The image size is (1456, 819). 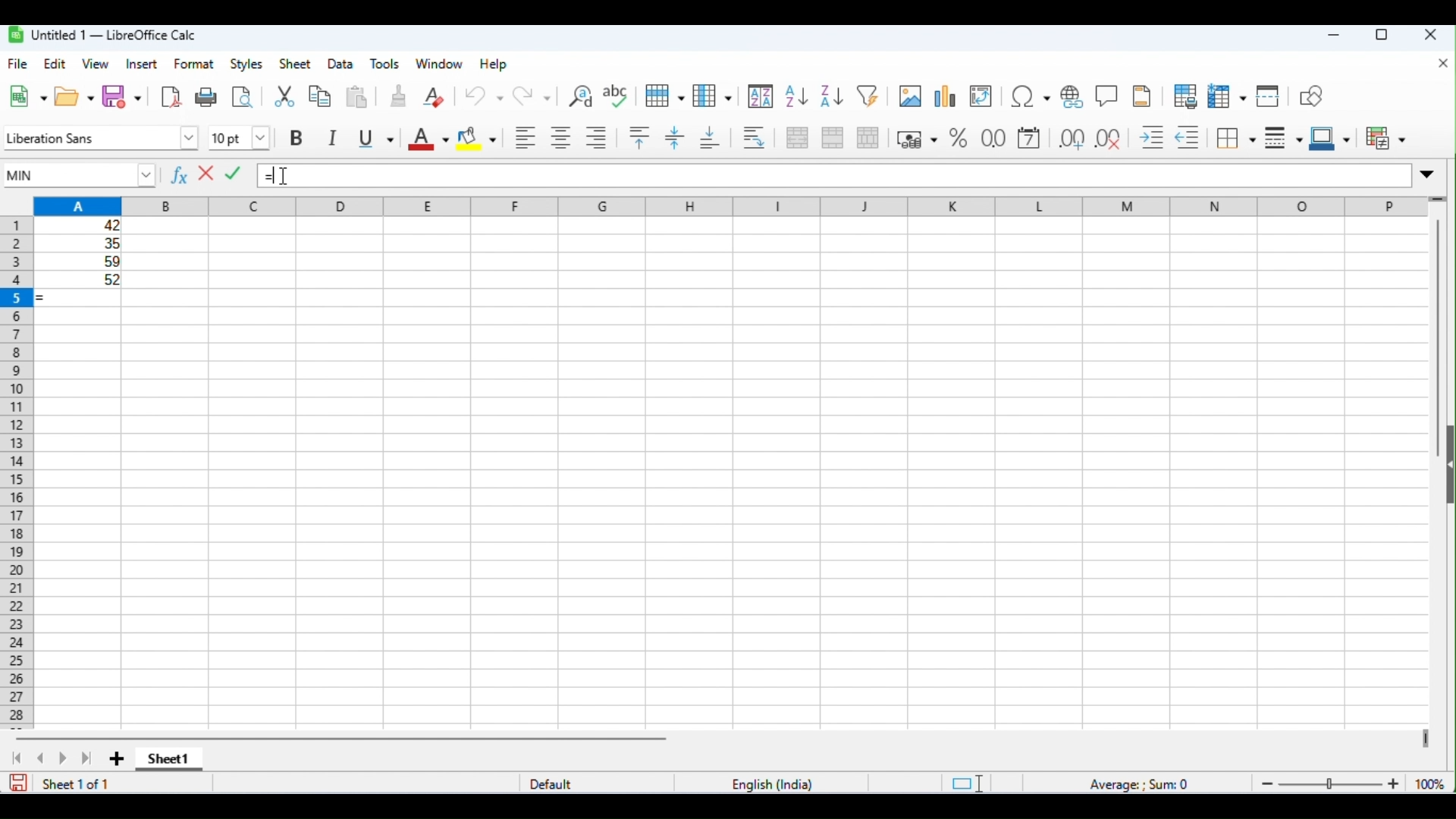 What do you see at coordinates (551, 782) in the screenshot?
I see `default` at bounding box center [551, 782].